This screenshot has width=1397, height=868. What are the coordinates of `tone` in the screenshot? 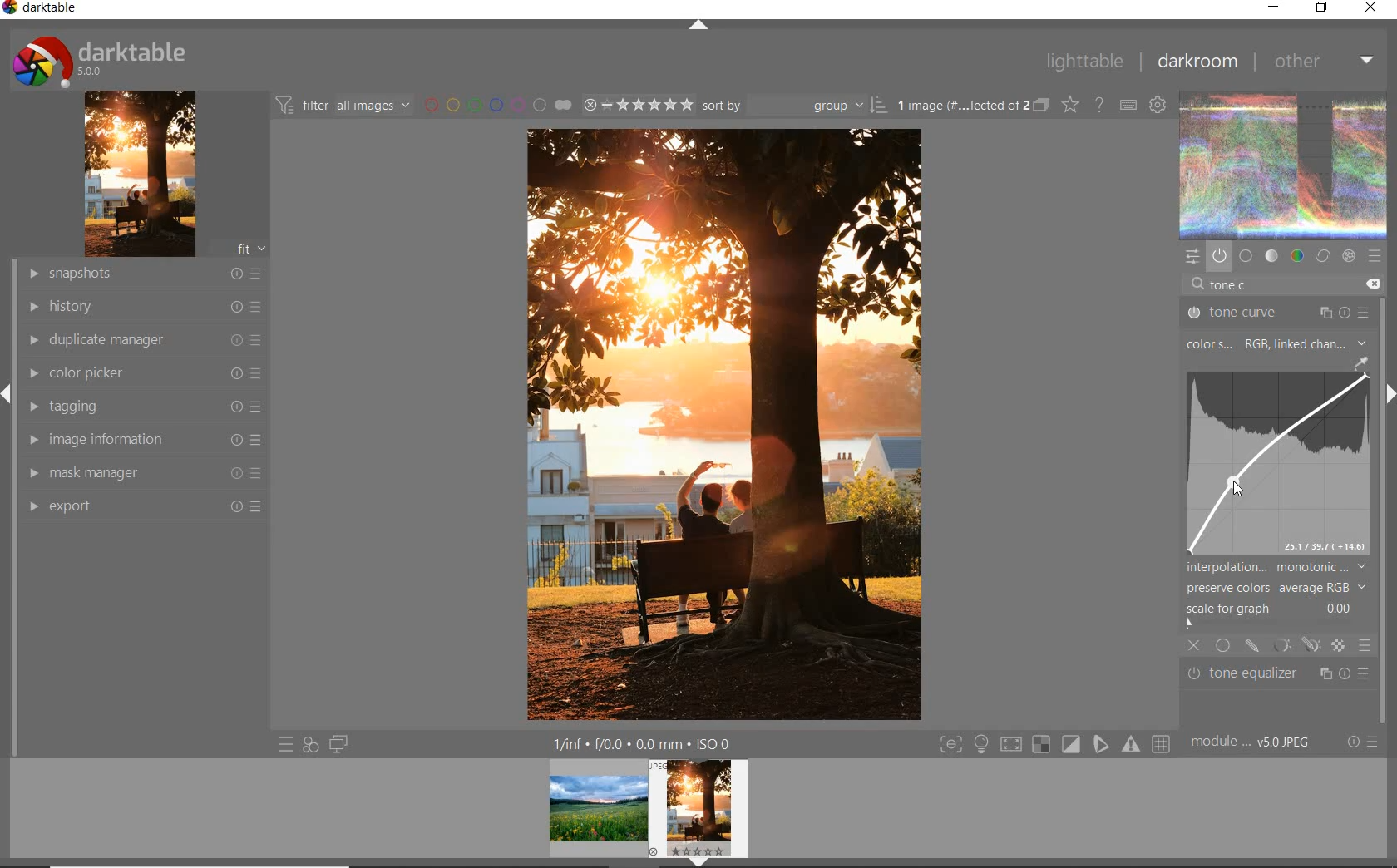 It's located at (1272, 254).